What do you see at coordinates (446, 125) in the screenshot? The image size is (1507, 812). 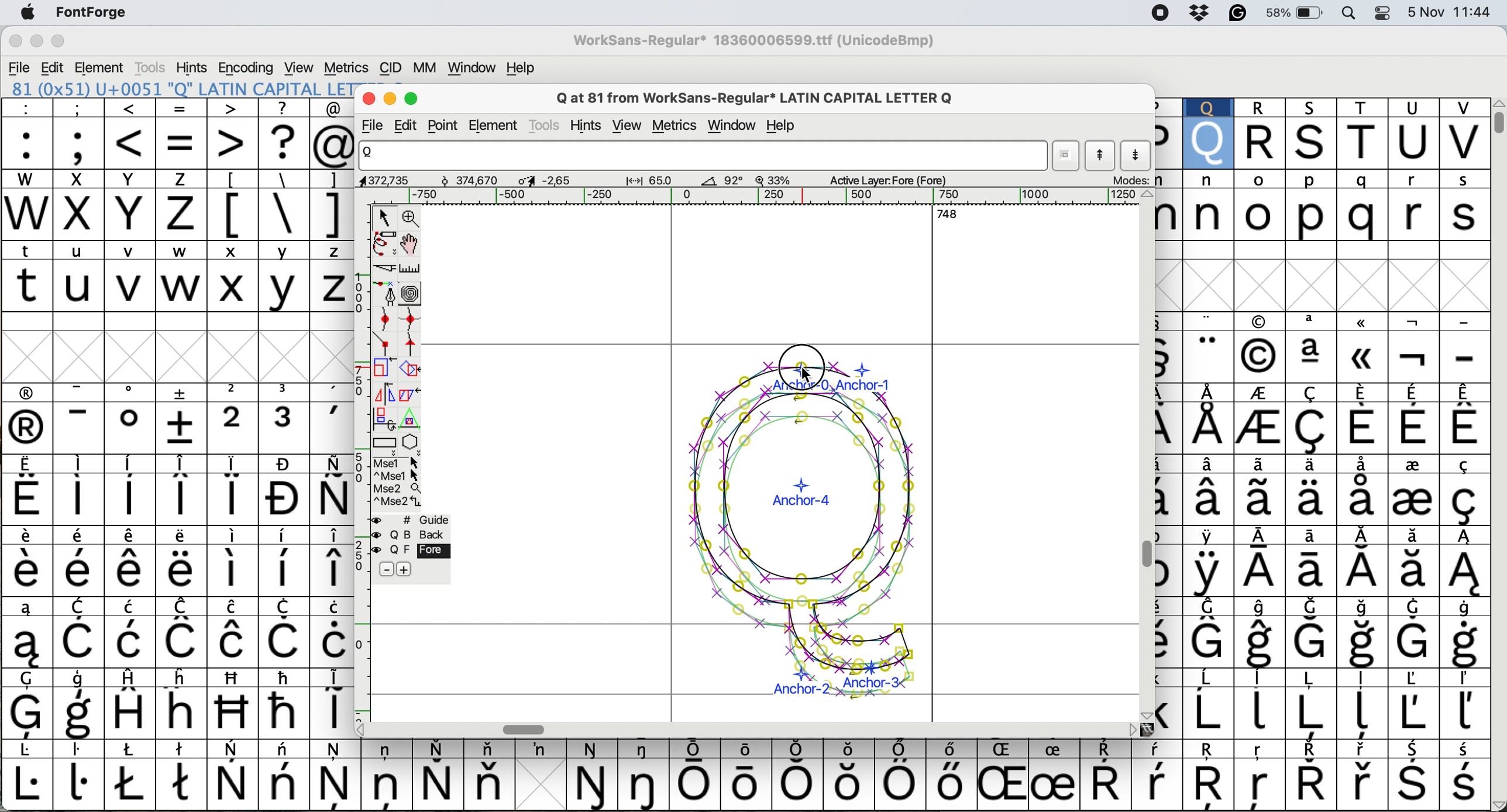 I see `point` at bounding box center [446, 125].